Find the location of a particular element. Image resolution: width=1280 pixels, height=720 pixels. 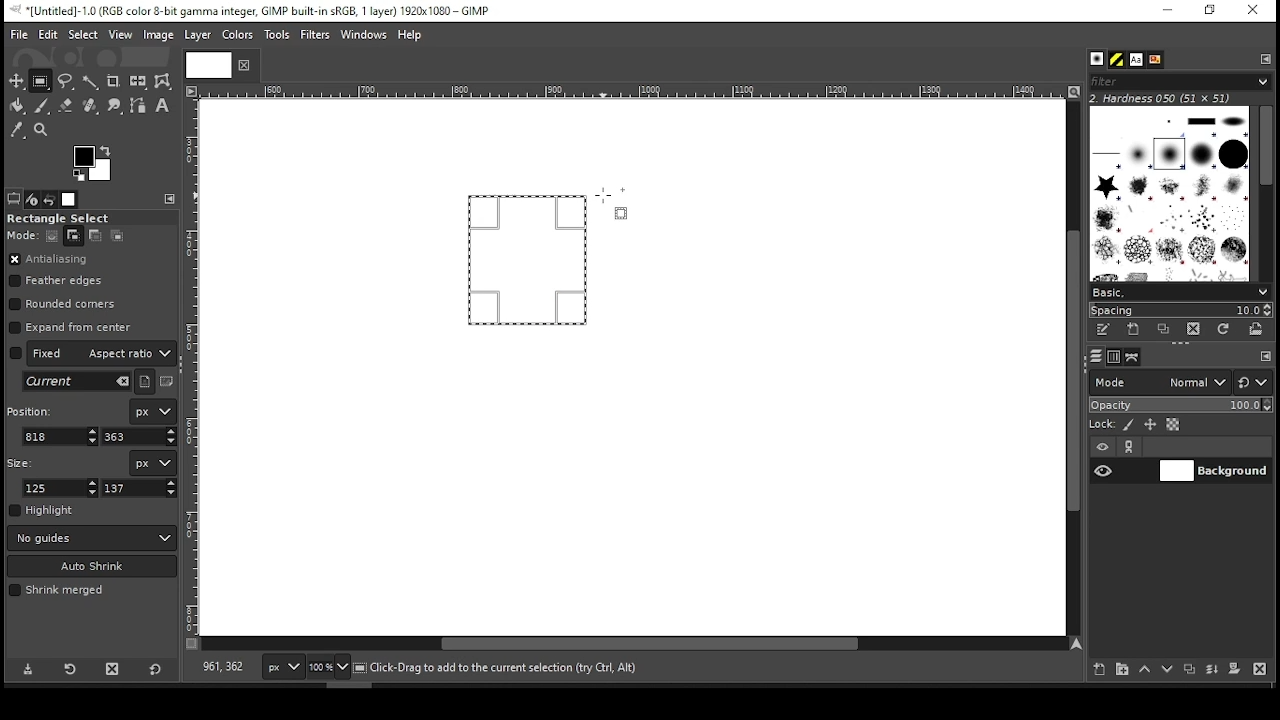

configure this tab is located at coordinates (172, 199).